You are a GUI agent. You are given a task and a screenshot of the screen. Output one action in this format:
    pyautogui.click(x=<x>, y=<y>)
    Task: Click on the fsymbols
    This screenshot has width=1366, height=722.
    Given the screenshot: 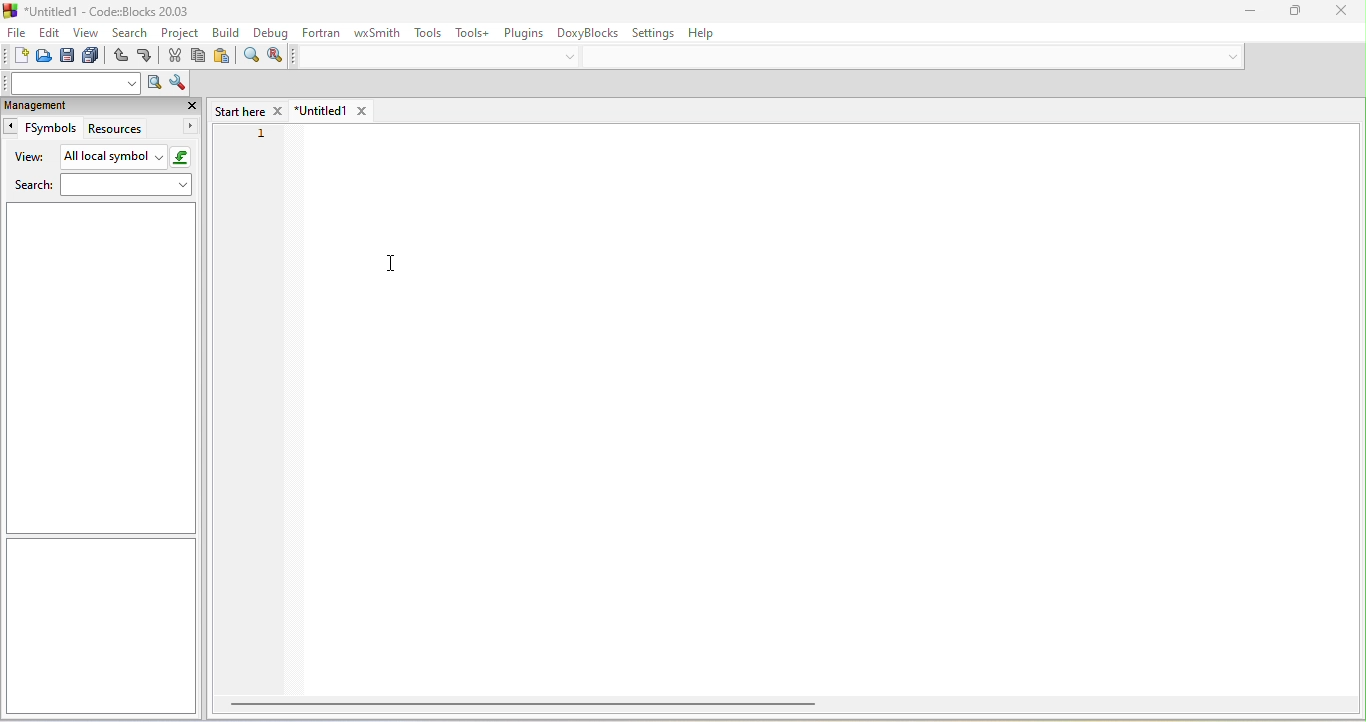 What is the action you would take?
    pyautogui.click(x=41, y=128)
    